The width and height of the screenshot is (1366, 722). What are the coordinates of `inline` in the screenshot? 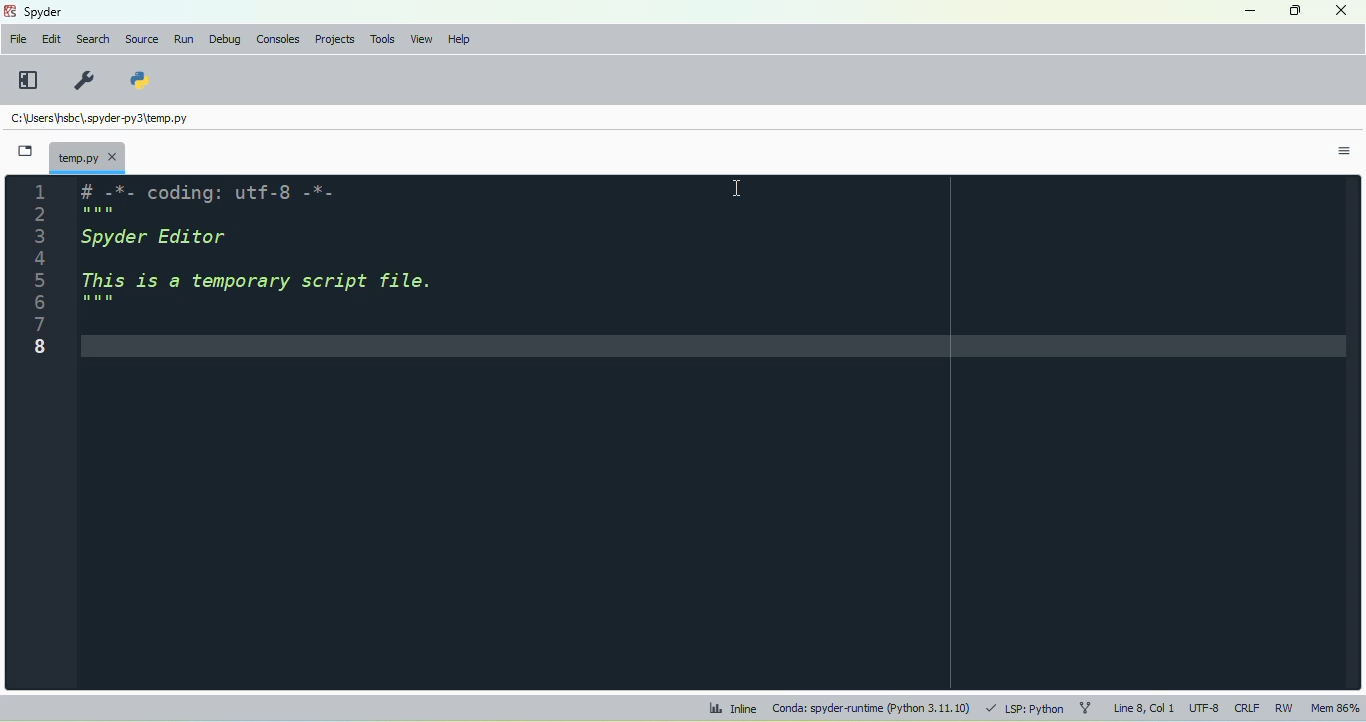 It's located at (733, 708).